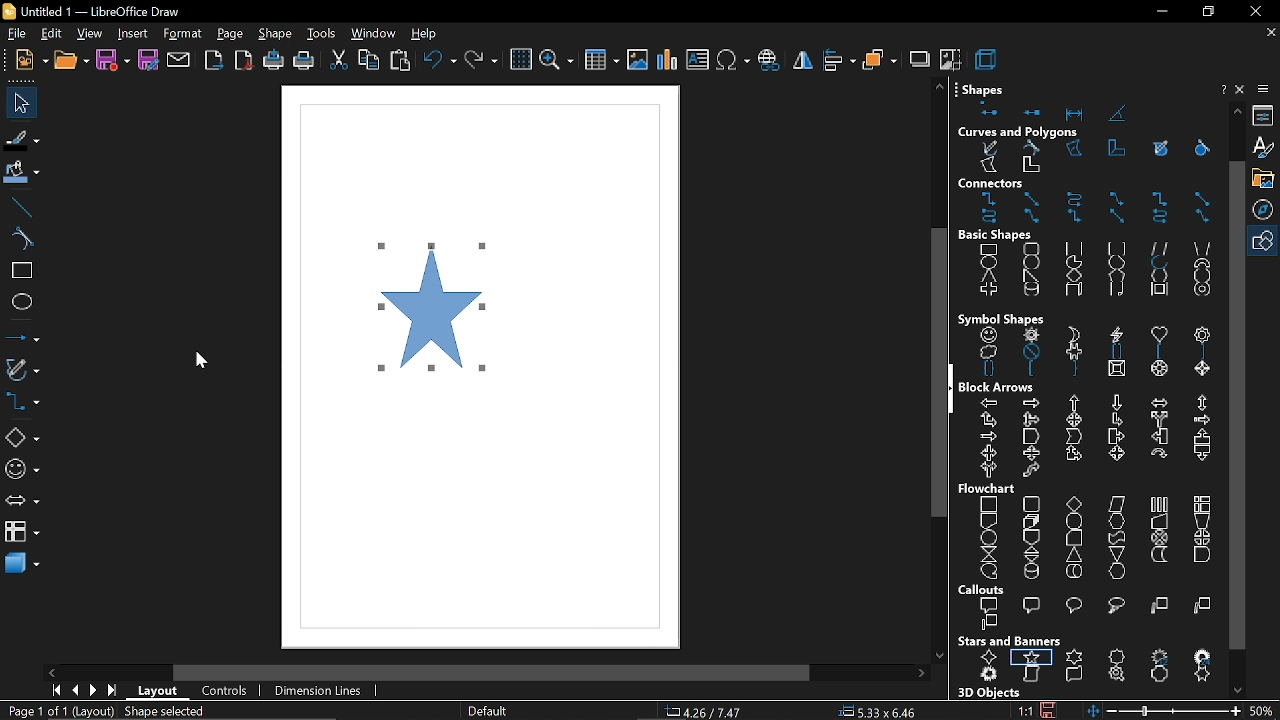 This screenshot has width=1280, height=720. Describe the element at coordinates (50, 34) in the screenshot. I see `edit` at that location.